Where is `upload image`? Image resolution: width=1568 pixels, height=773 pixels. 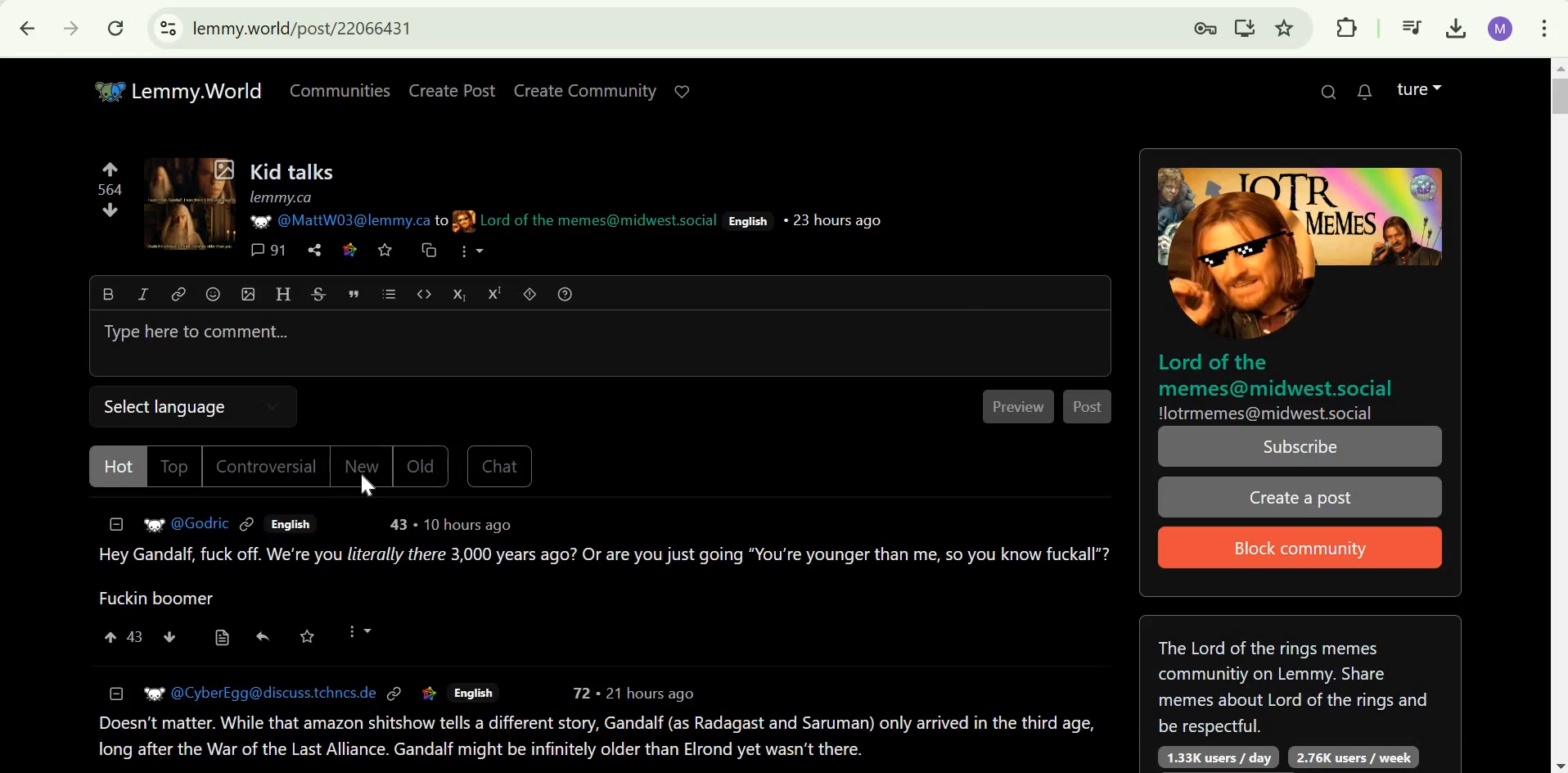
upload image is located at coordinates (247, 293).